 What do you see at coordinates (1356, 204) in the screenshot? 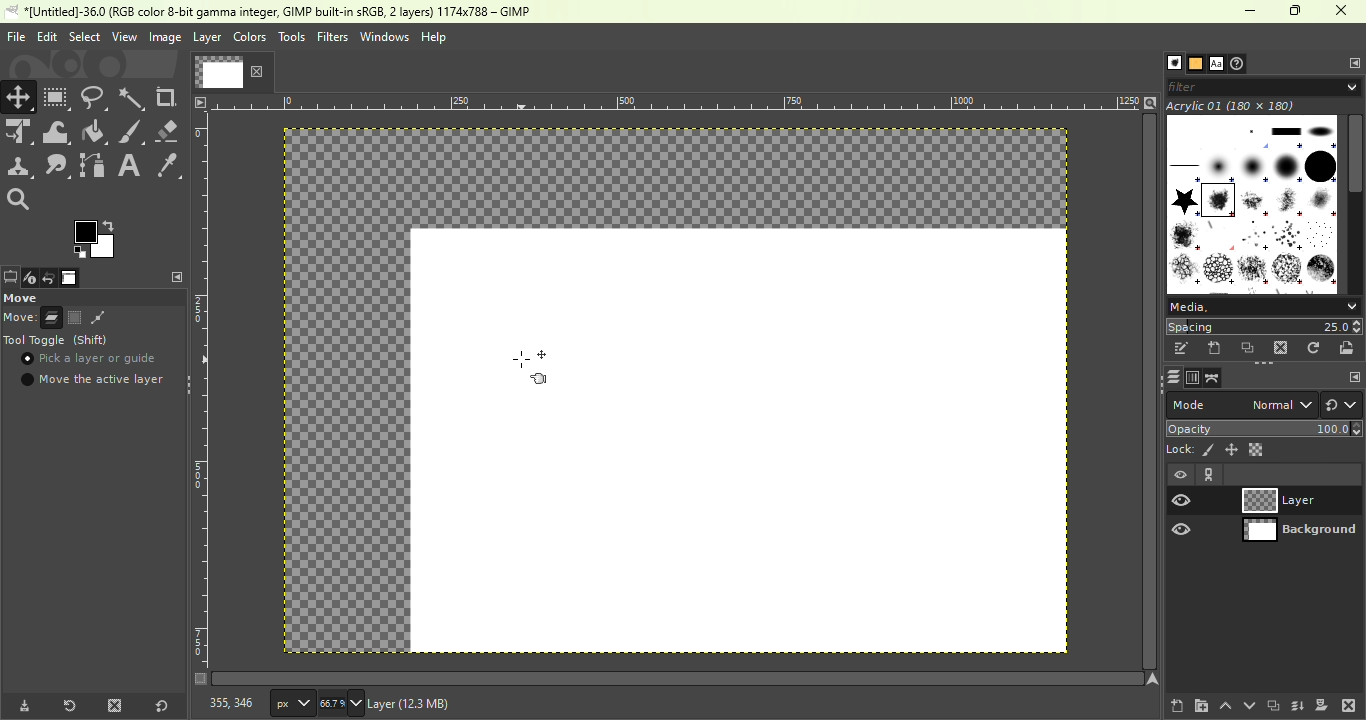
I see `Horizontal scroll bar` at bounding box center [1356, 204].